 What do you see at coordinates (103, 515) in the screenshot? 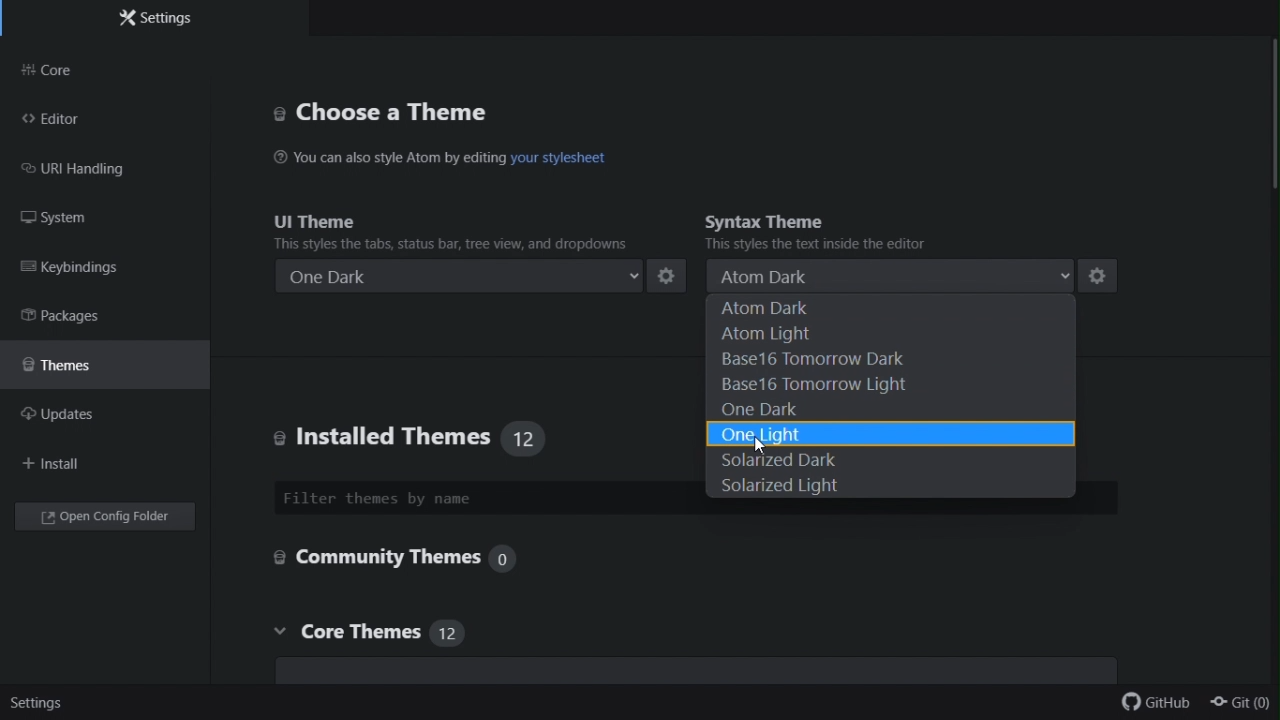
I see `Open config folder` at bounding box center [103, 515].